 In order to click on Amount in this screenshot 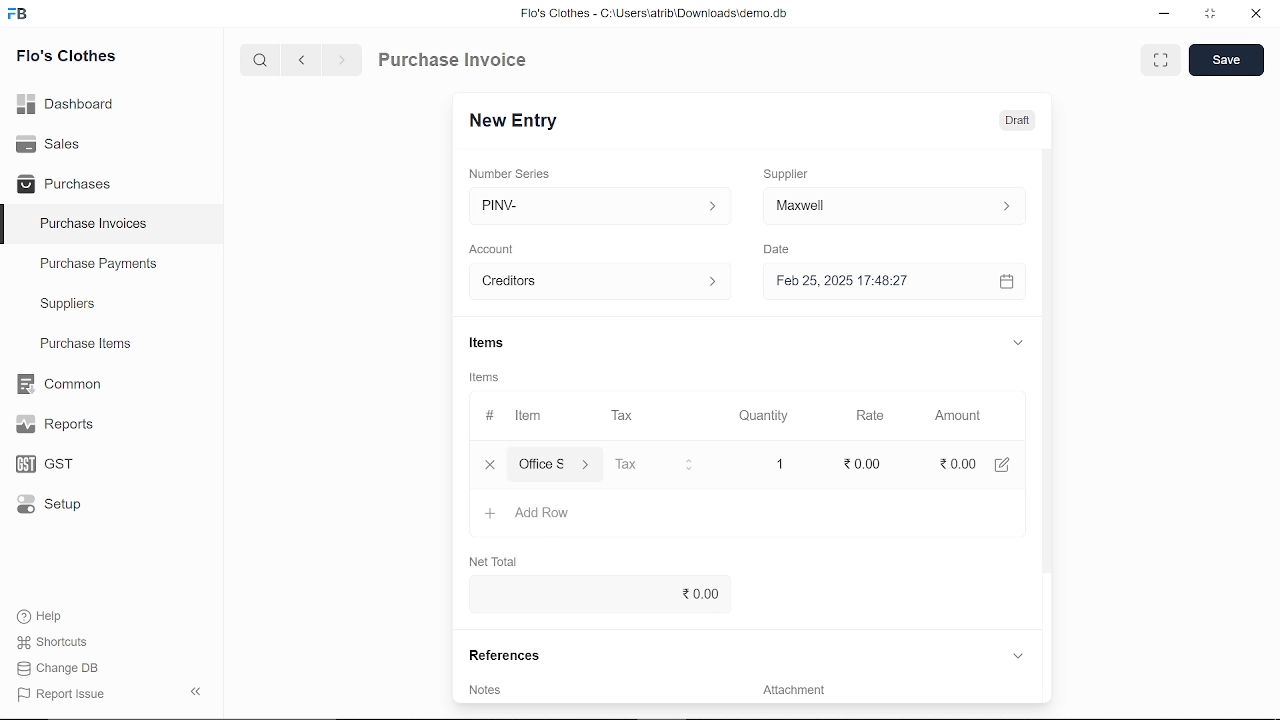, I will do `click(956, 414)`.